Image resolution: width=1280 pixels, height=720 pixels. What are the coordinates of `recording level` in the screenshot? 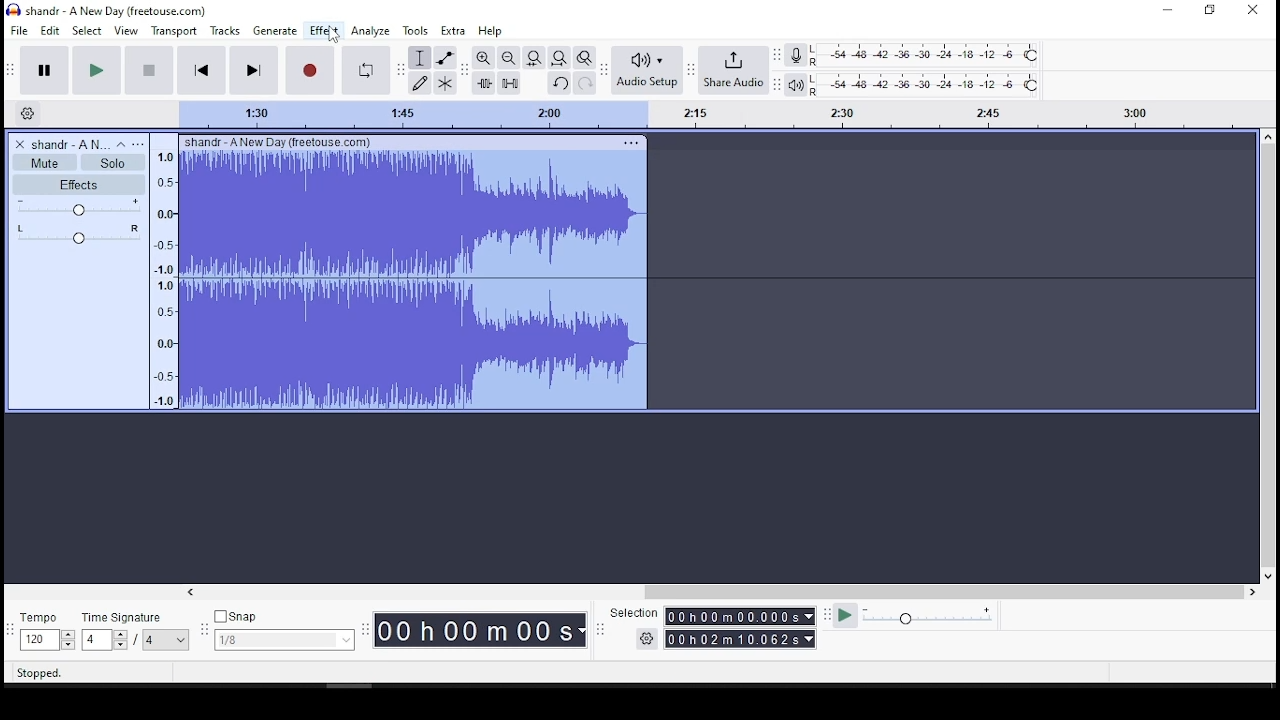 It's located at (926, 55).